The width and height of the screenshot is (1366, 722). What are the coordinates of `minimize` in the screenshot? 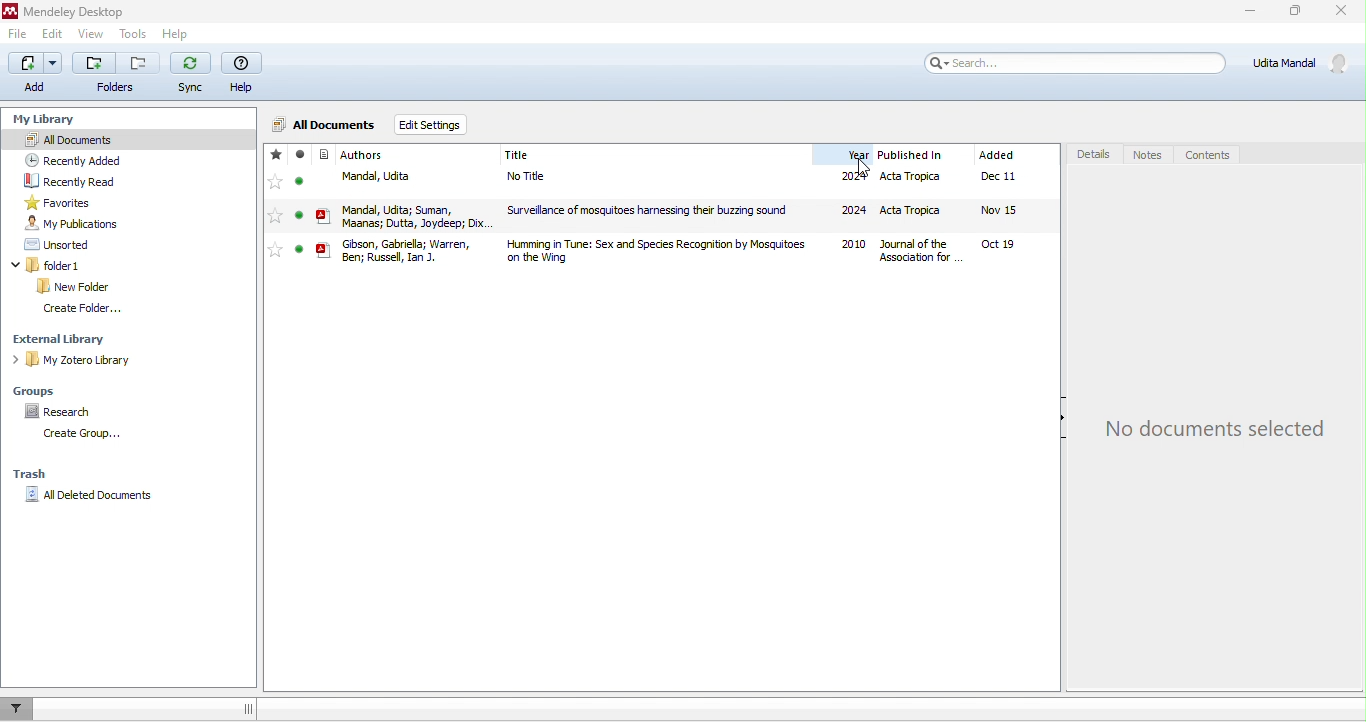 It's located at (1234, 14).